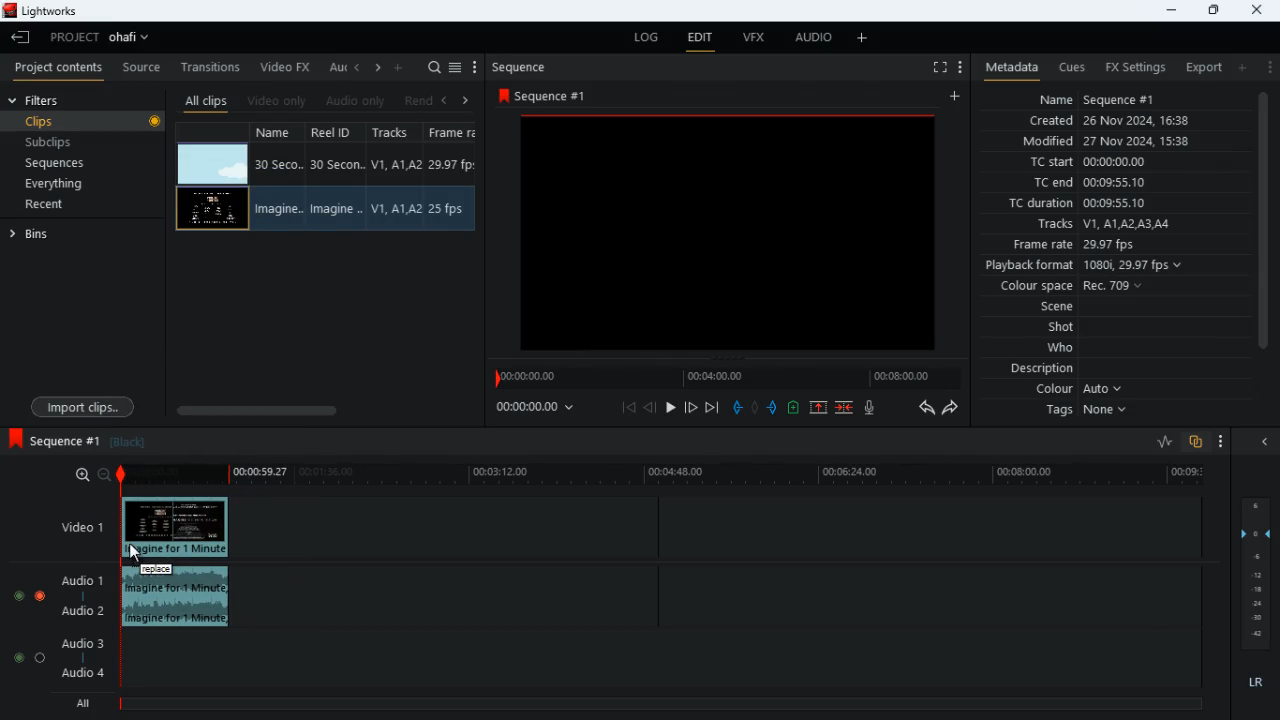  Describe the element at coordinates (542, 93) in the screenshot. I see `sequence` at that location.